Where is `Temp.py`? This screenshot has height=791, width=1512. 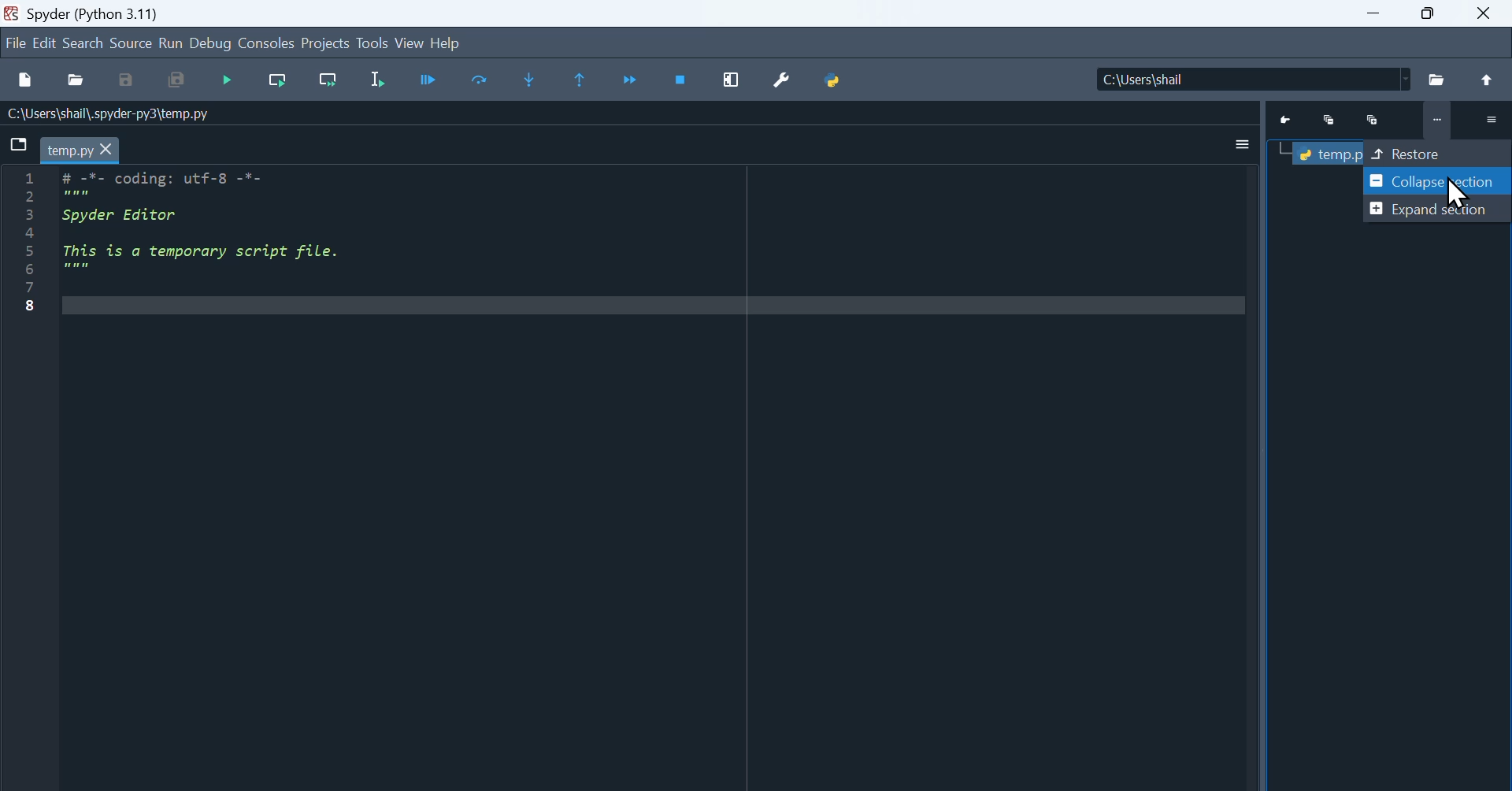
Temp.py is located at coordinates (1330, 153).